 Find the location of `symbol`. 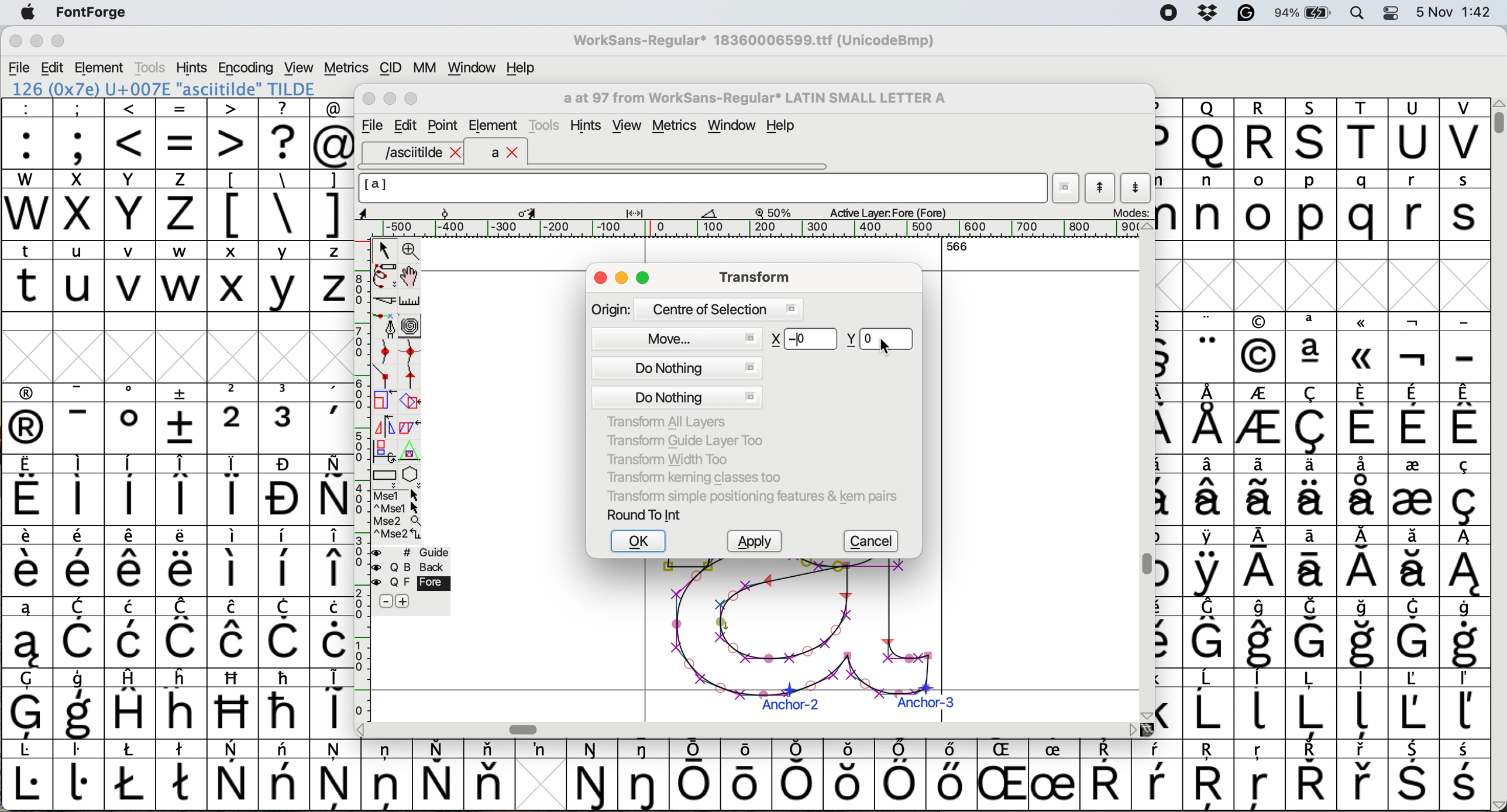

symbol is located at coordinates (1208, 562).